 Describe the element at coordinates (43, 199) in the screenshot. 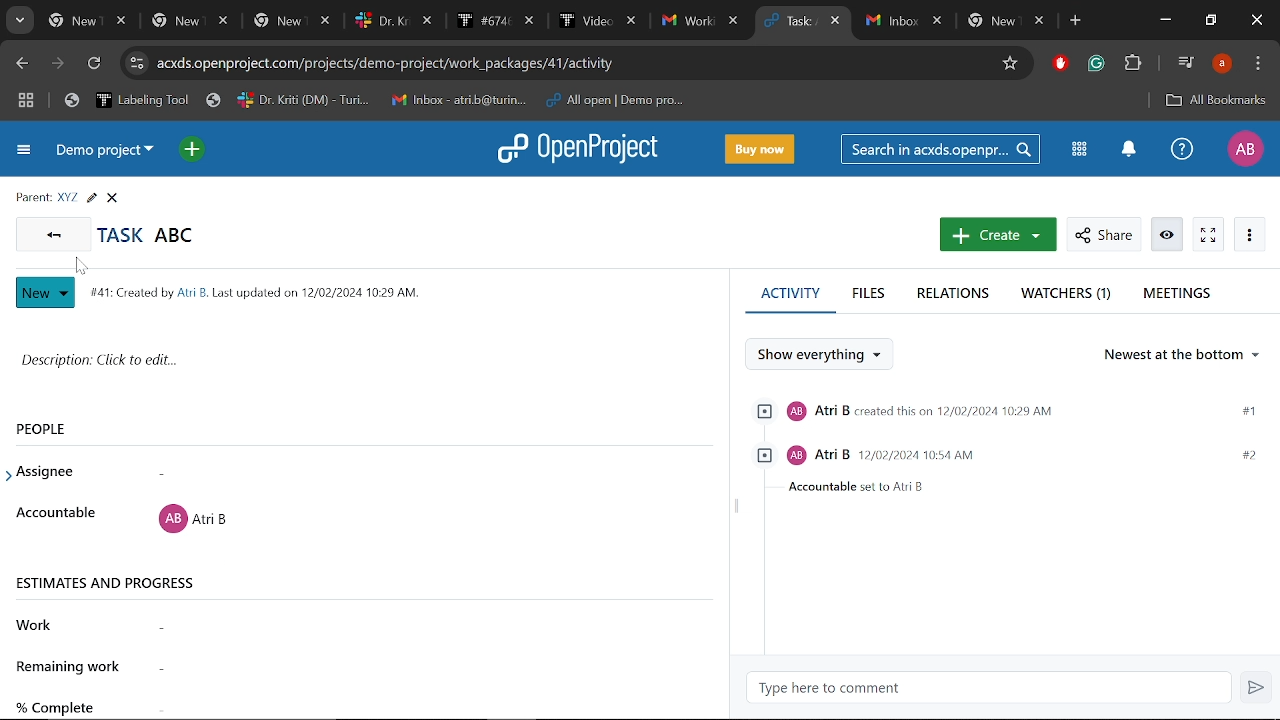

I see `Parent info` at that location.